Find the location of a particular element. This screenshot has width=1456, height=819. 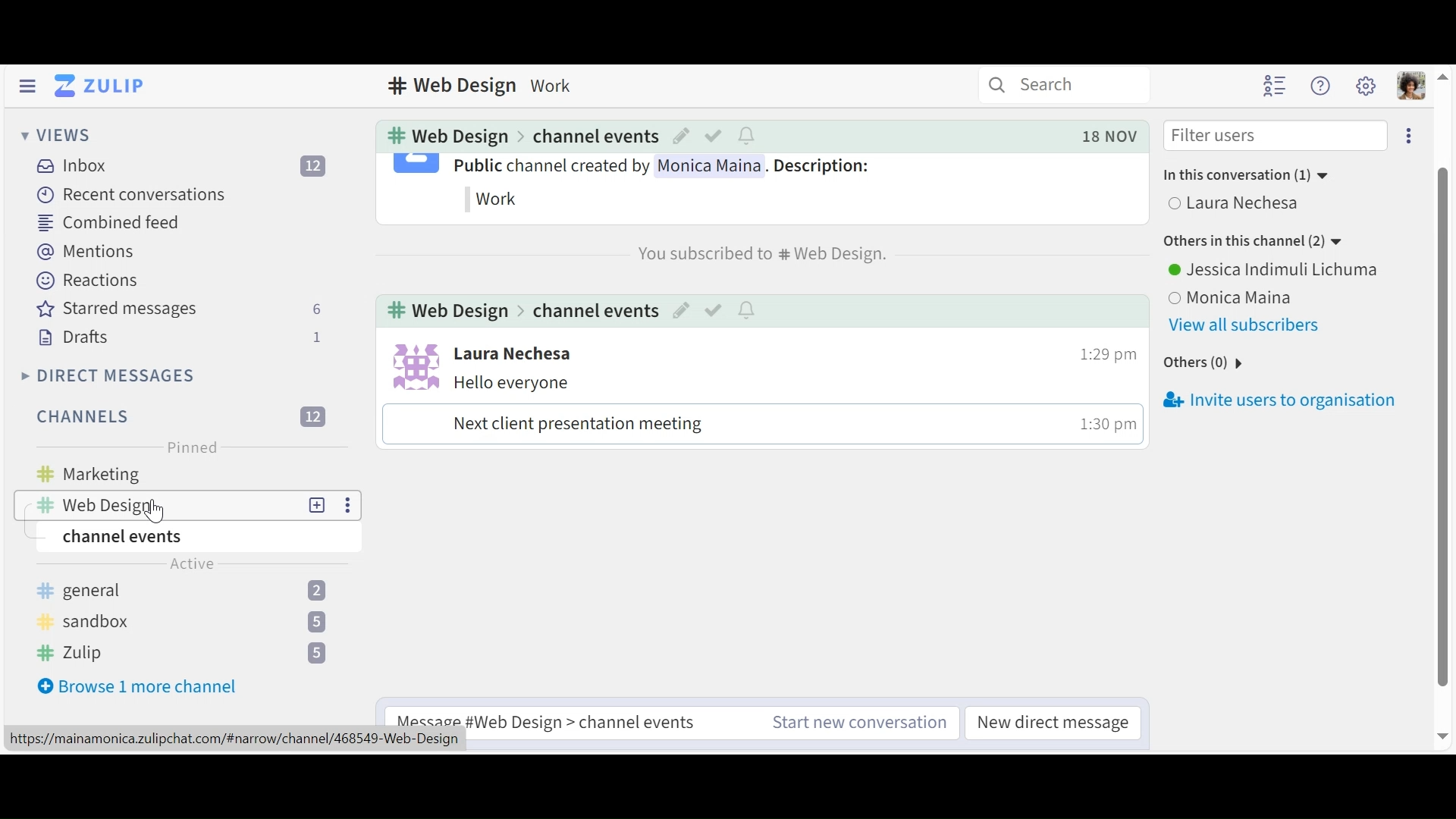

Channel events is located at coordinates (594, 136).